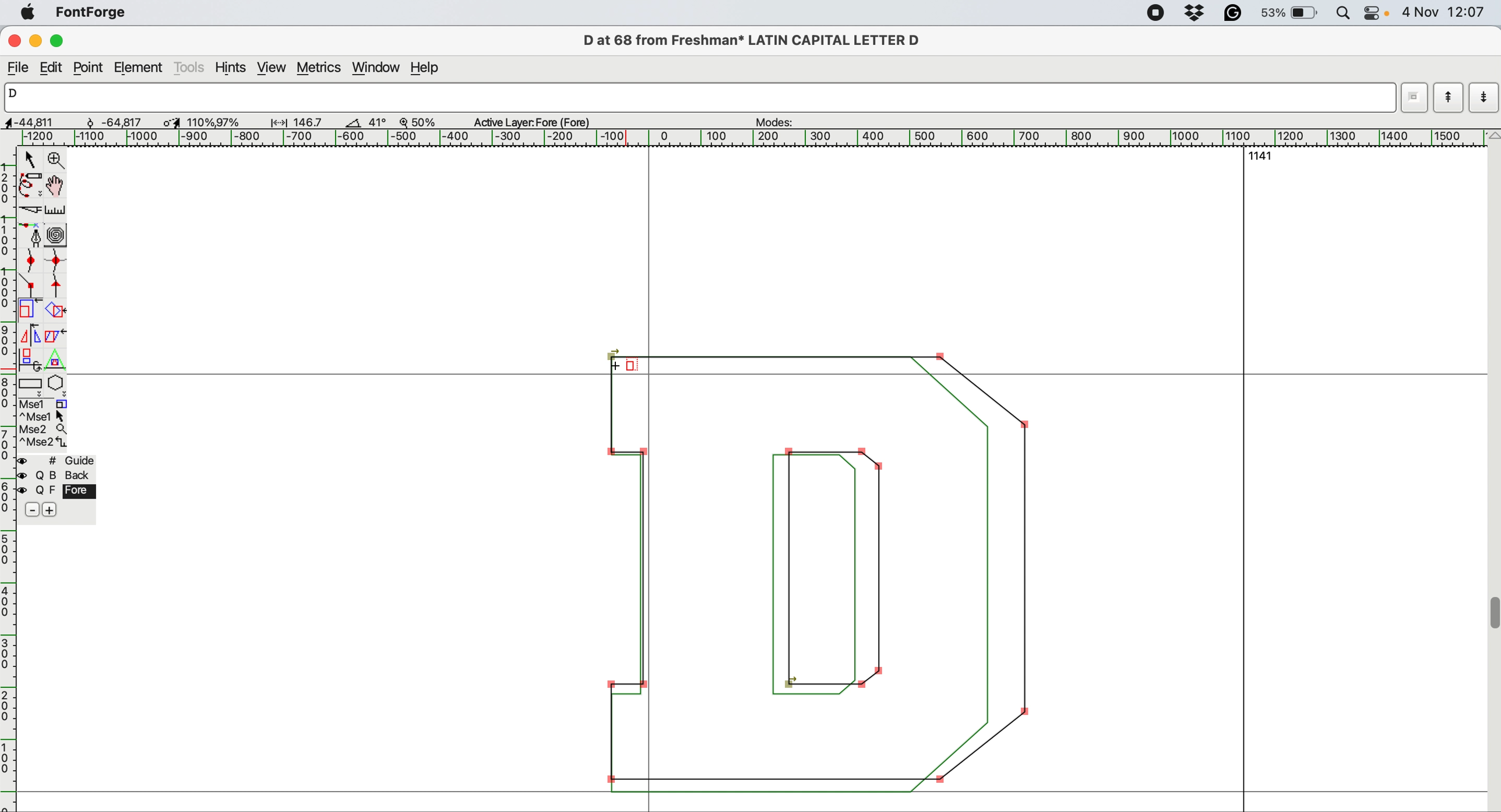 This screenshot has height=812, width=1501. I want to click on Q F fore, so click(60, 493).